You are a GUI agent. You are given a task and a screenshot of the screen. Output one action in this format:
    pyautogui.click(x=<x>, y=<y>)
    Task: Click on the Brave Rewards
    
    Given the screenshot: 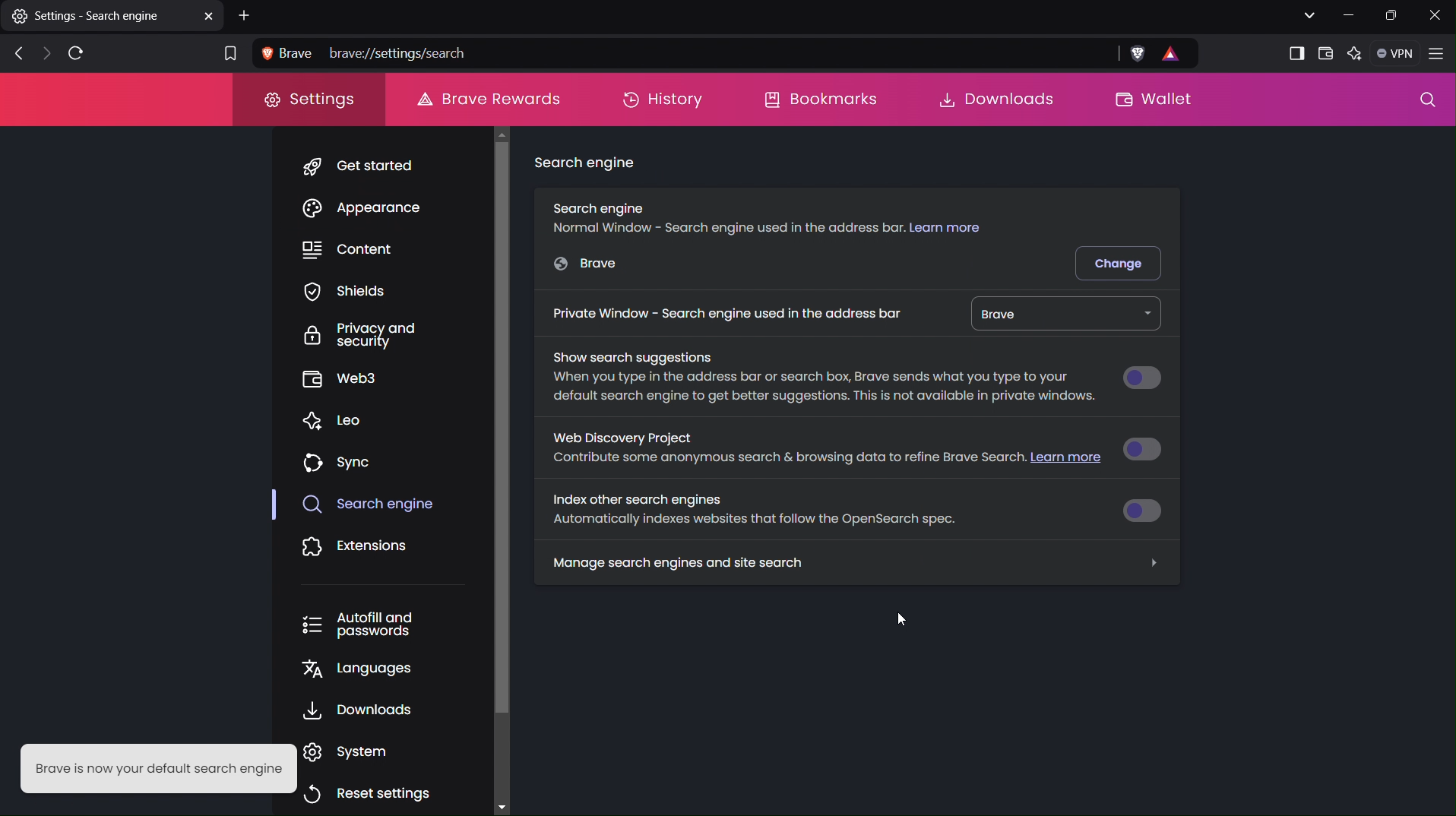 What is the action you would take?
    pyautogui.click(x=486, y=99)
    